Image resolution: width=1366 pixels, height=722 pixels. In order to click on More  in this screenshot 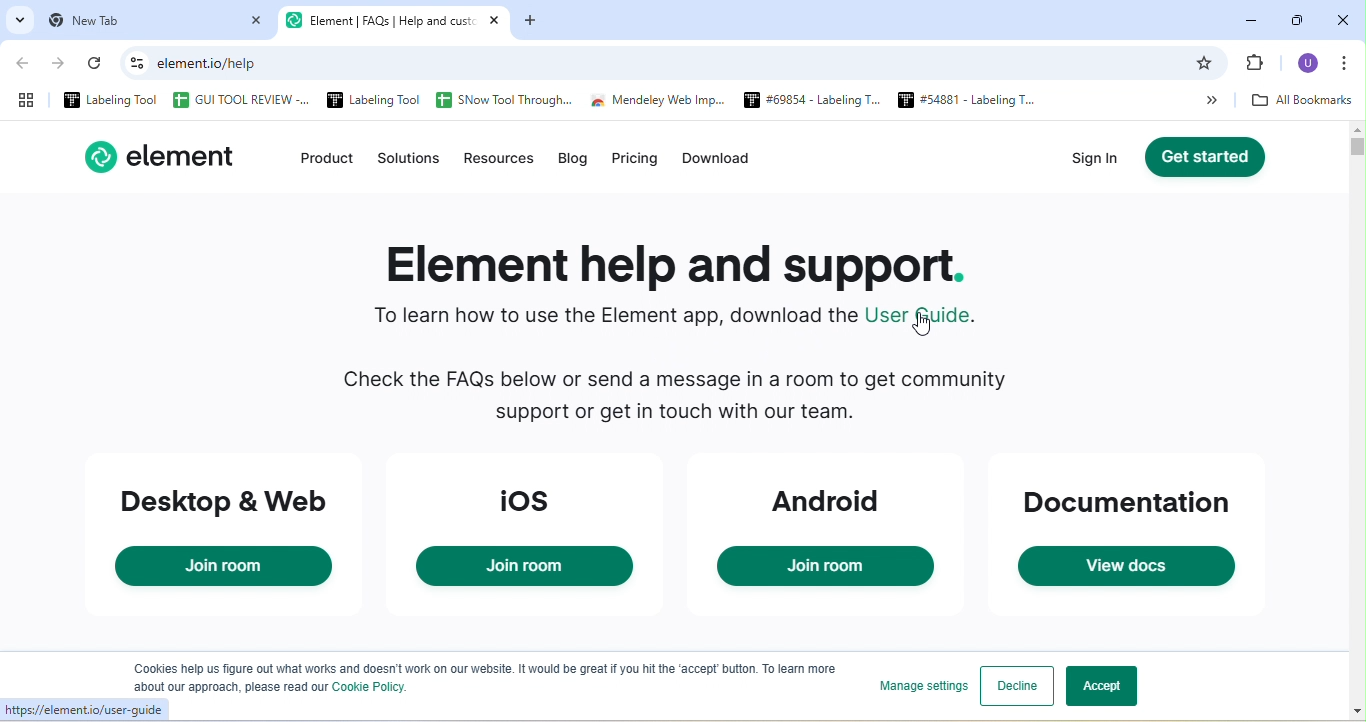, I will do `click(1202, 100)`.